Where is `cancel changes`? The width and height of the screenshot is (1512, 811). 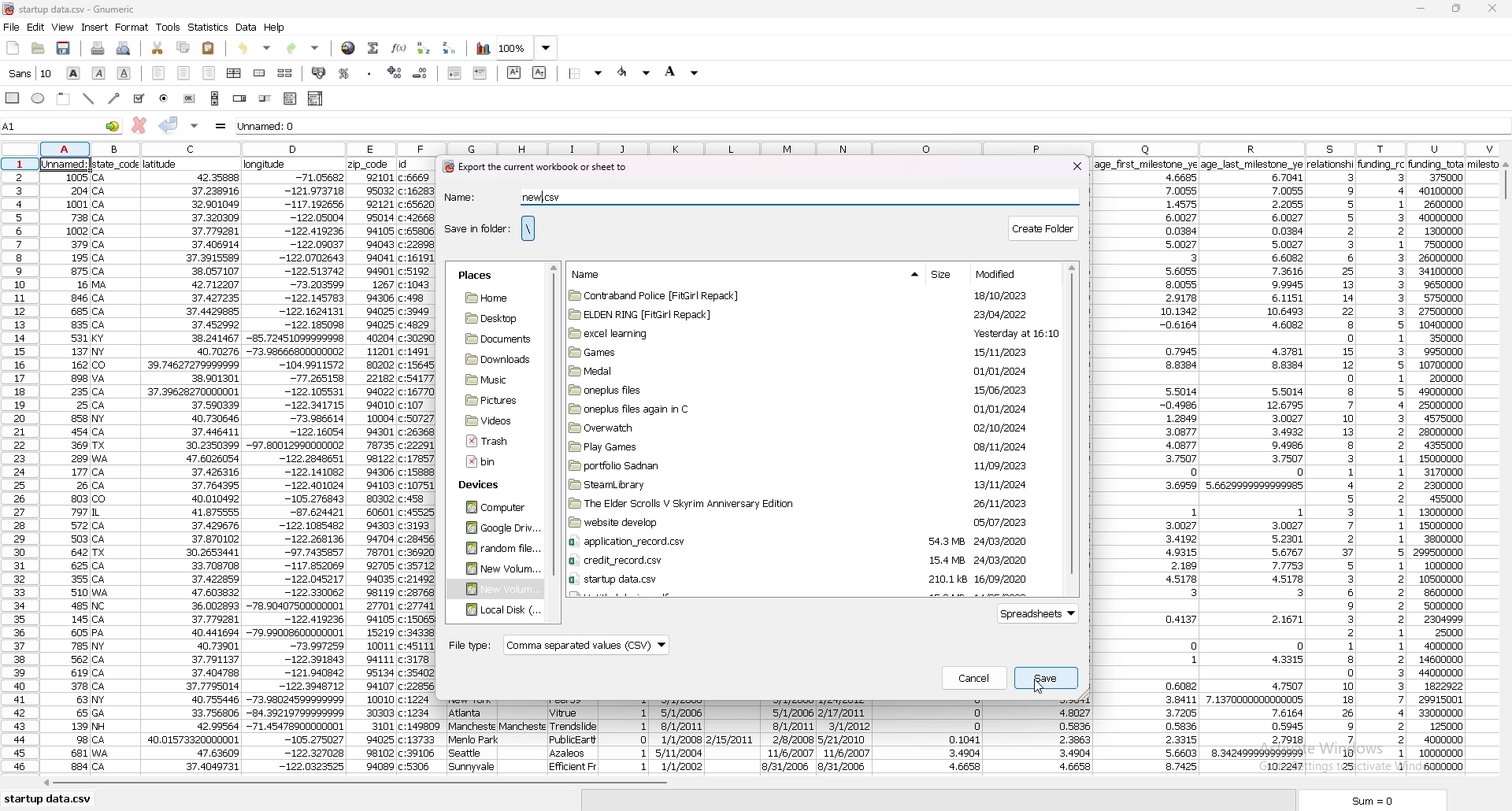 cancel changes is located at coordinates (138, 125).